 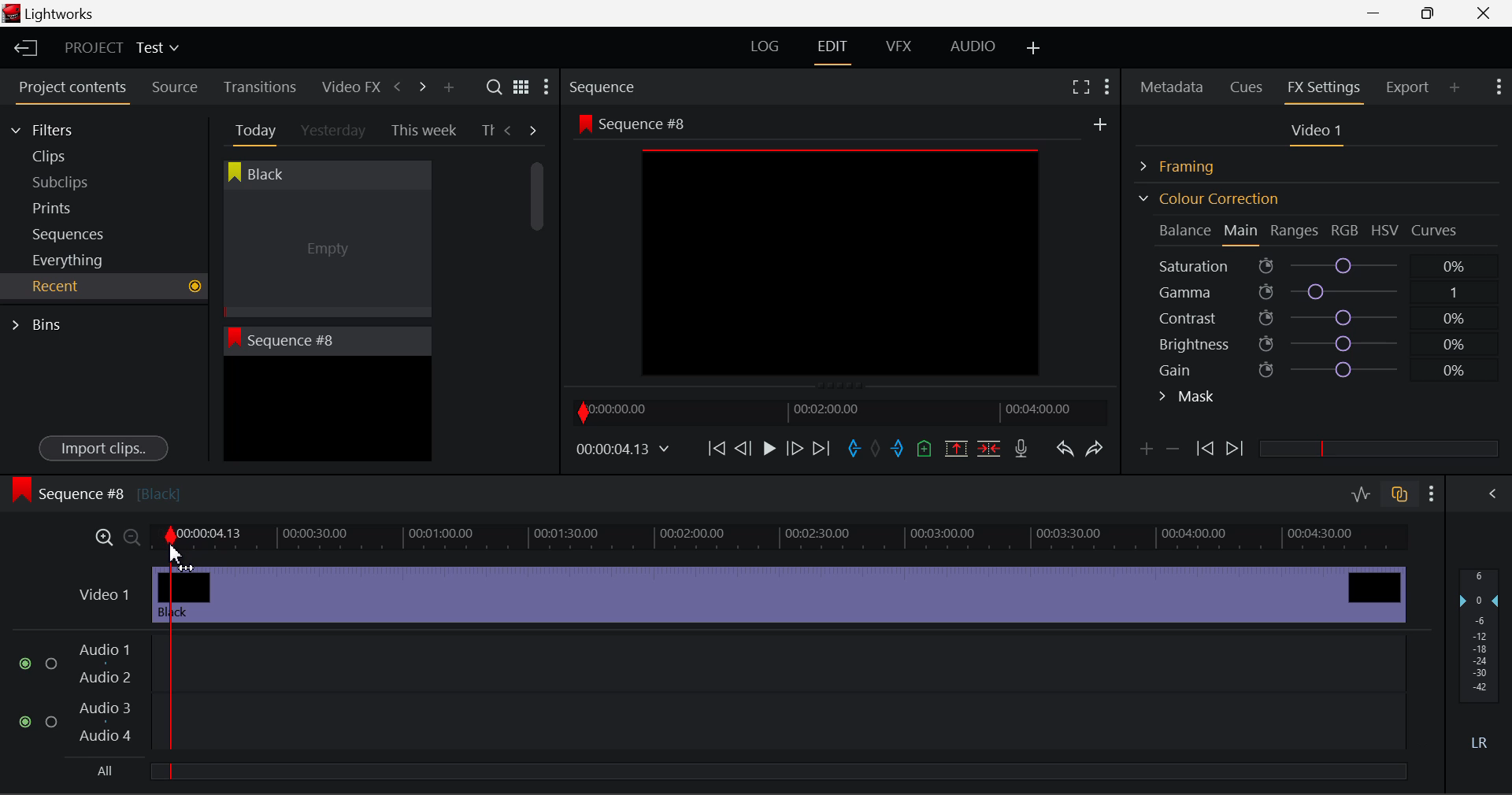 What do you see at coordinates (1190, 164) in the screenshot?
I see `Framing Section` at bounding box center [1190, 164].